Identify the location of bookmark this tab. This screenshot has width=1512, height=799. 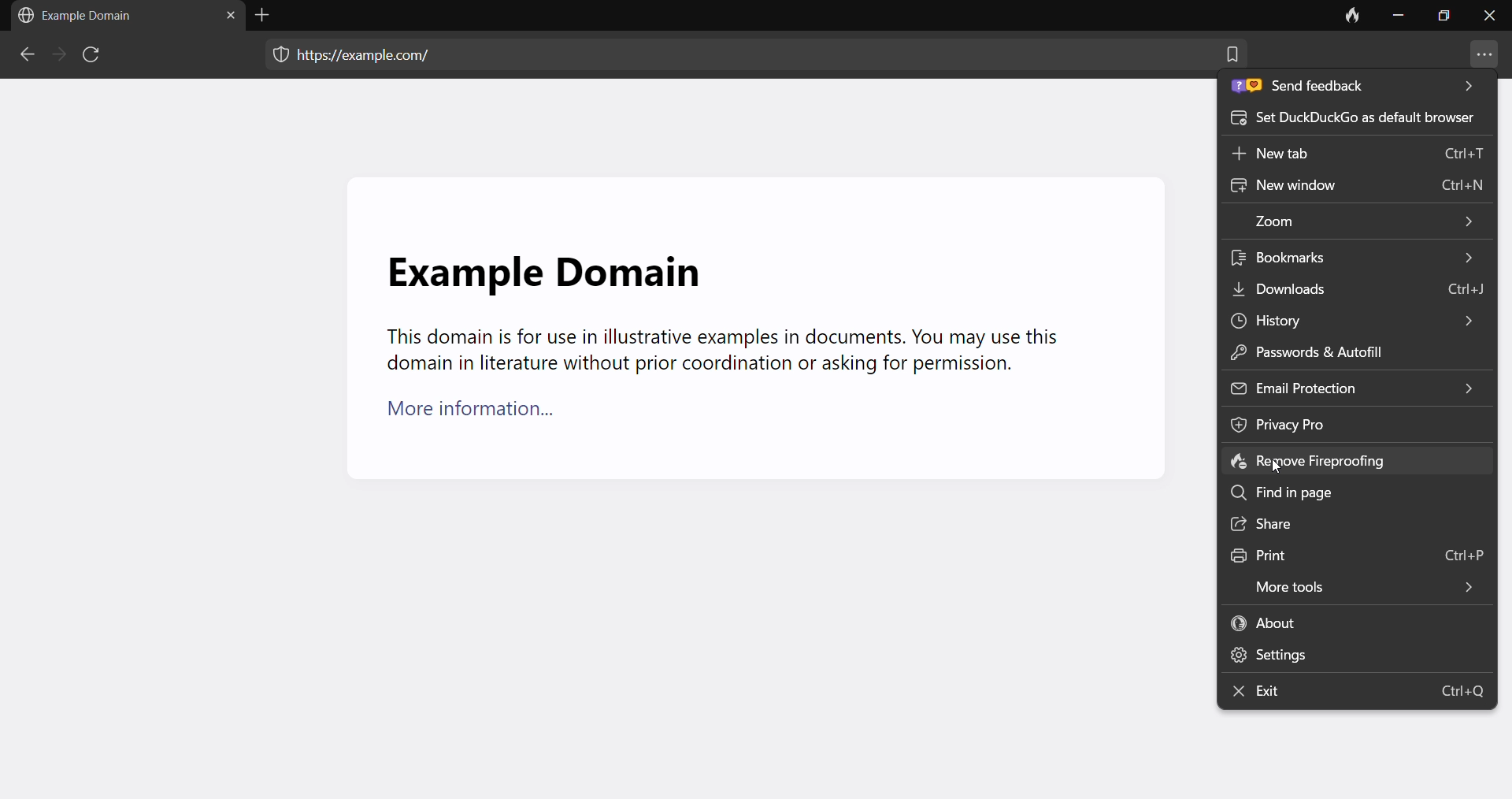
(1232, 61).